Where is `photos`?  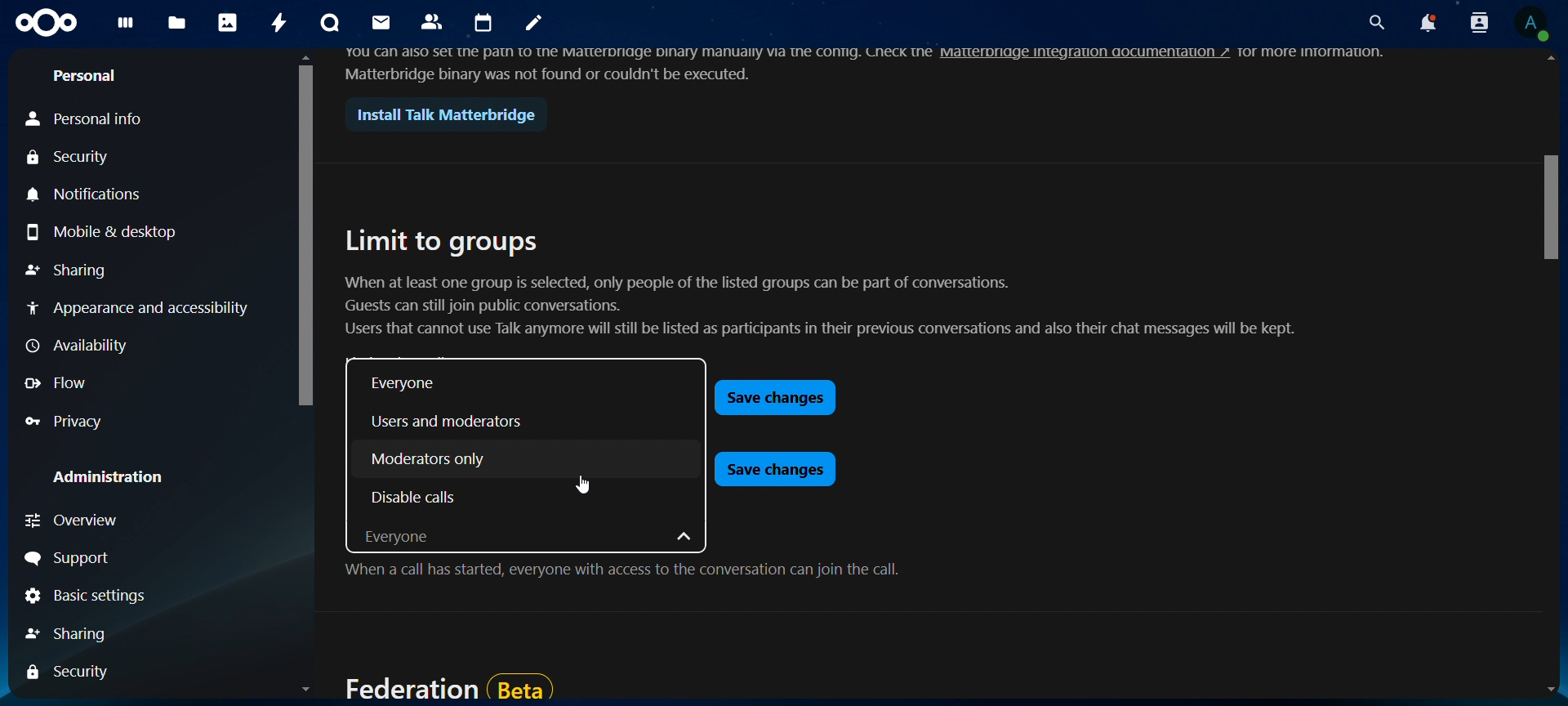
photos is located at coordinates (229, 21).